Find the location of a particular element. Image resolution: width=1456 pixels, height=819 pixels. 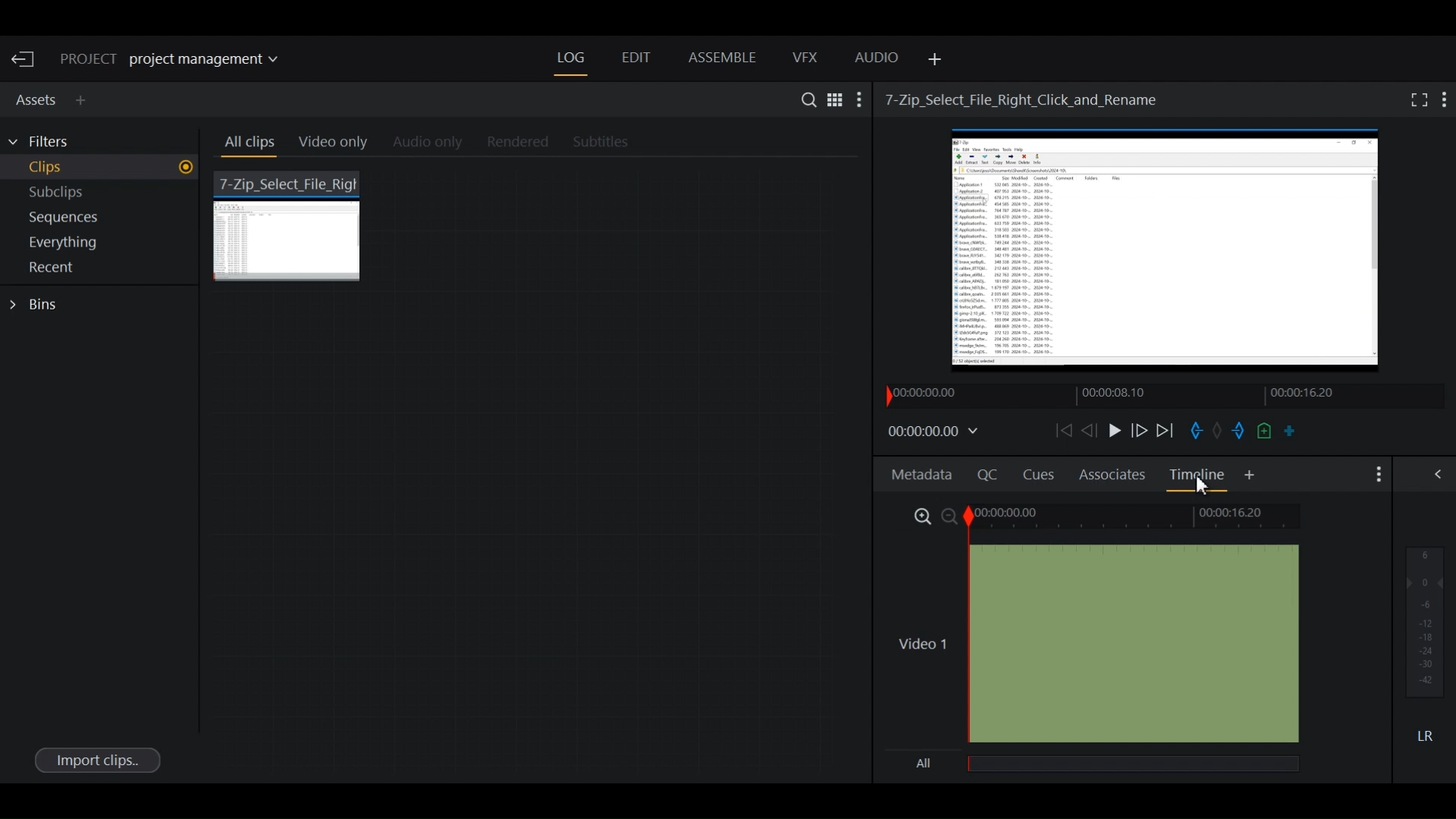

Video Name is located at coordinates (1025, 99).